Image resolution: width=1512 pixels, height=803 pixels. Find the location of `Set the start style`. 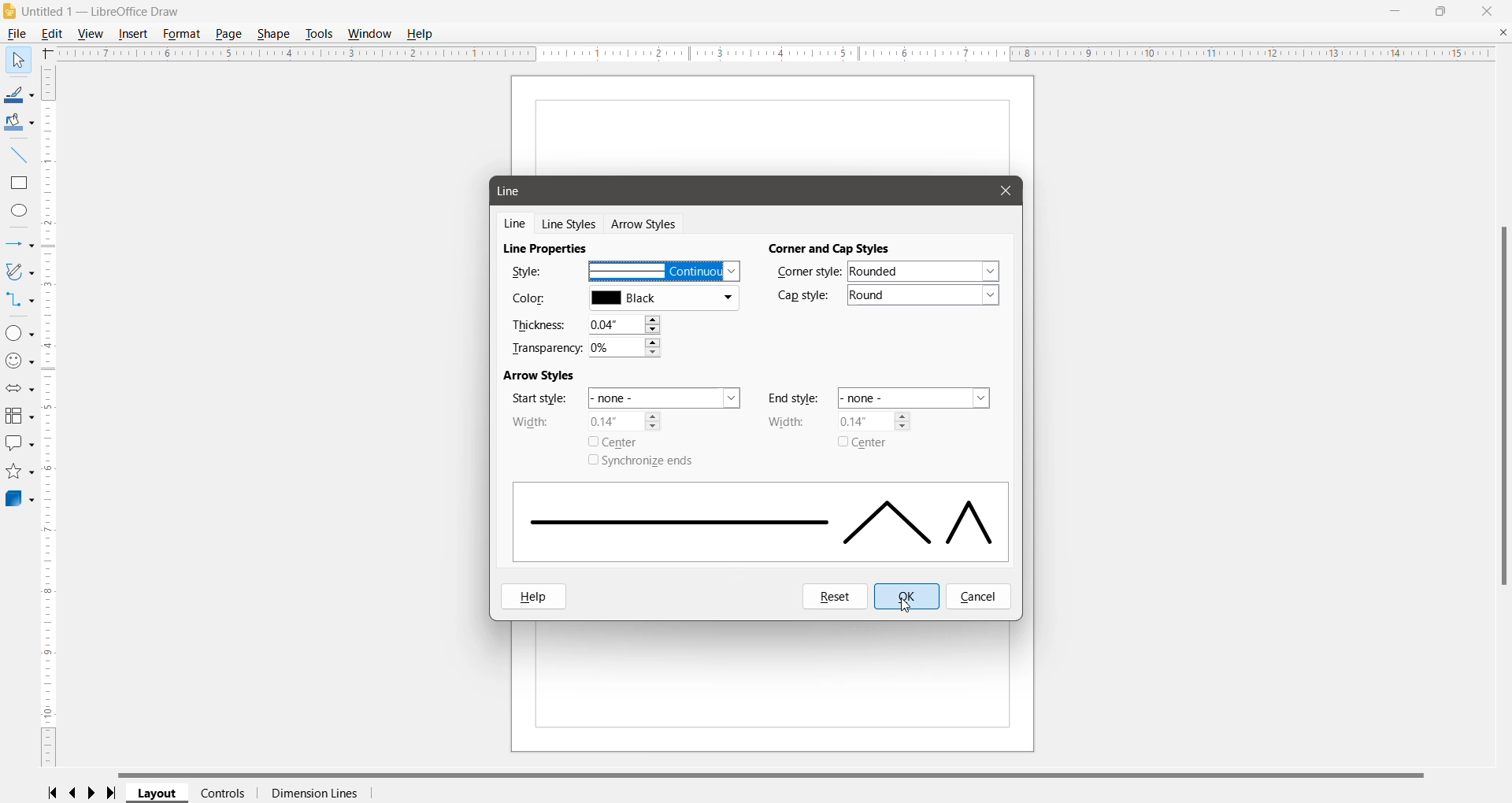

Set the start style is located at coordinates (662, 398).